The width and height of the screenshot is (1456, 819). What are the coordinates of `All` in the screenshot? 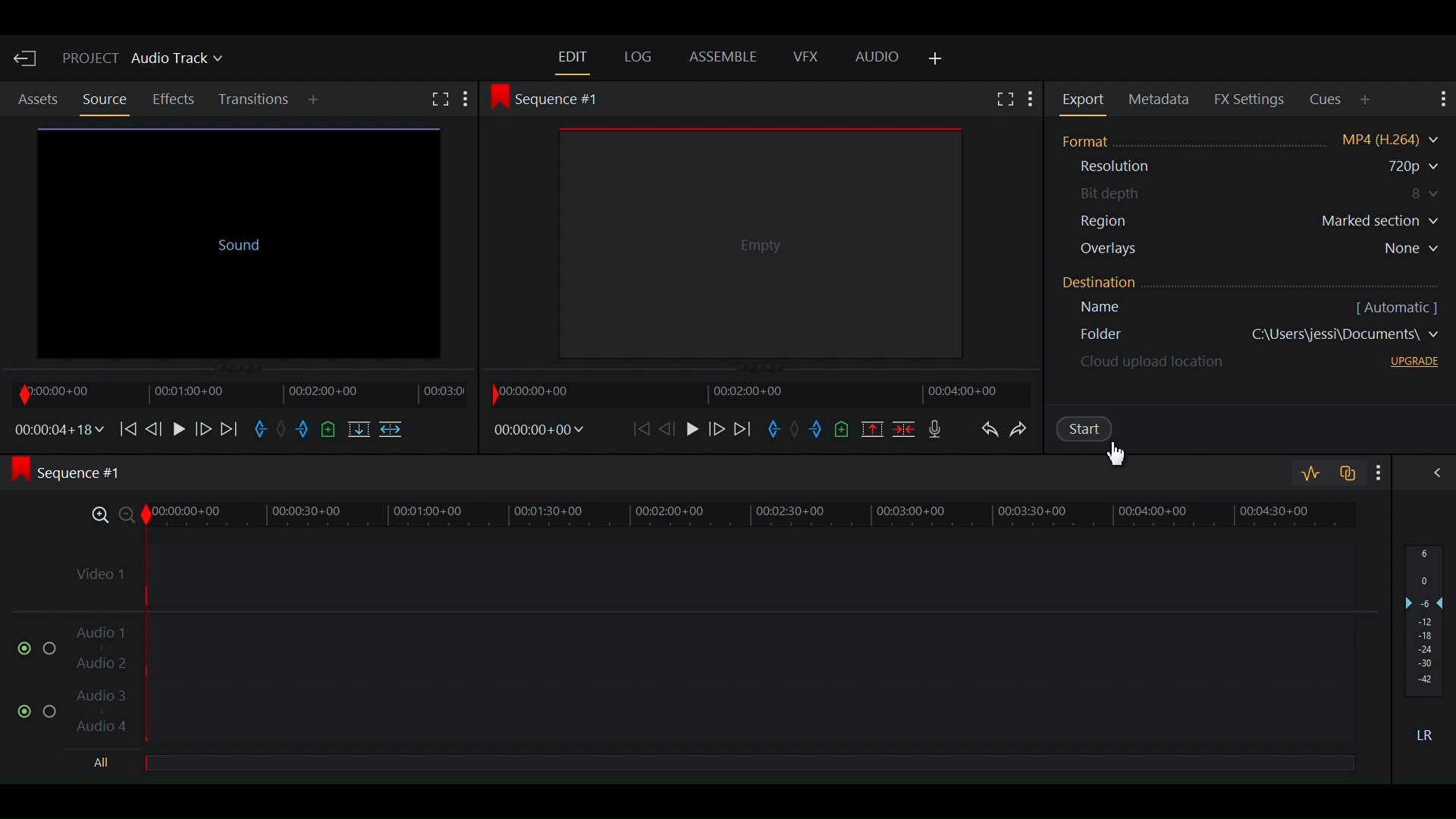 It's located at (105, 764).